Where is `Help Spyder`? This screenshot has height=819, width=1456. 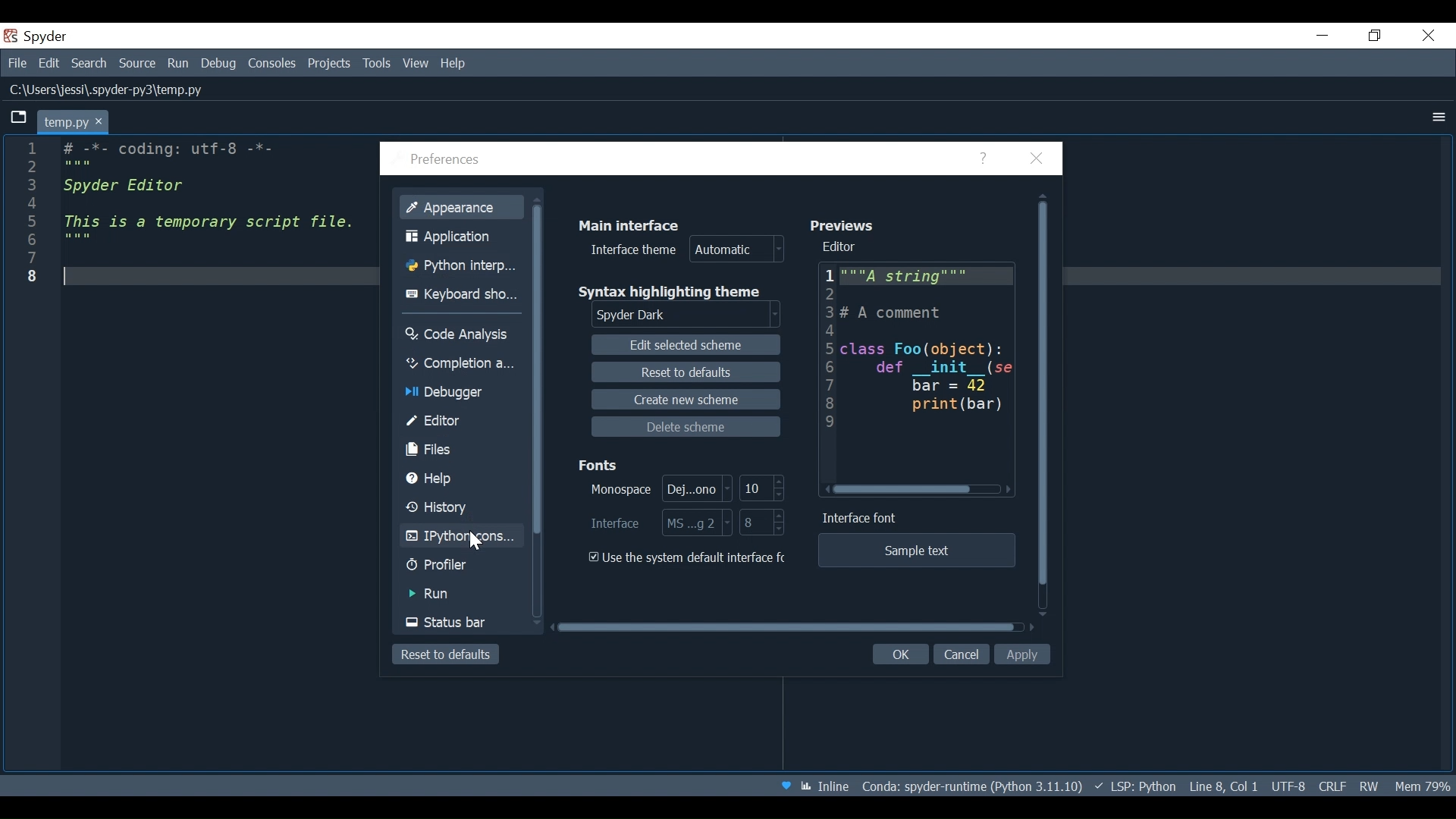 Help Spyder is located at coordinates (788, 788).